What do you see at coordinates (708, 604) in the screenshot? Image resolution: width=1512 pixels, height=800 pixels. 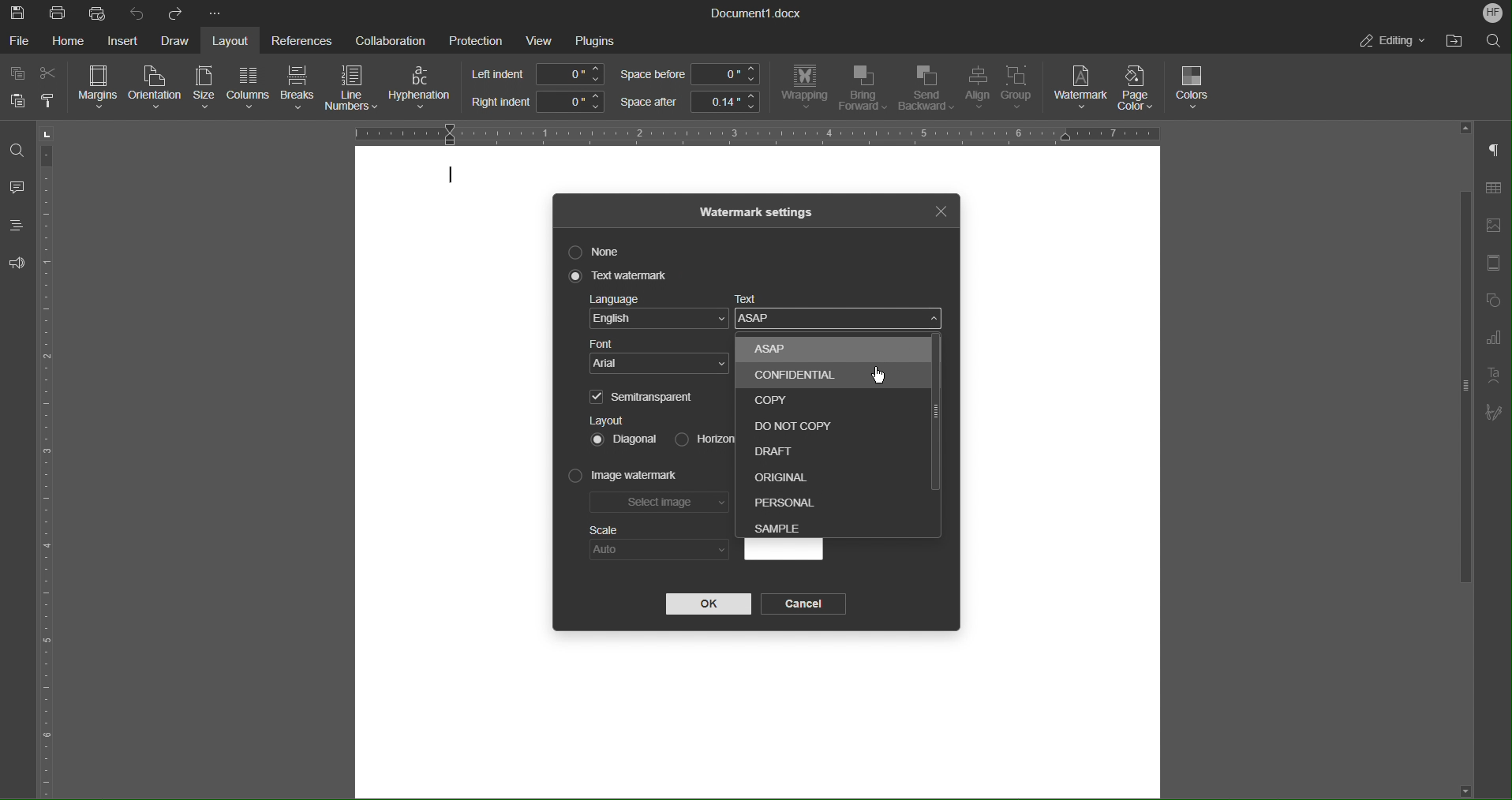 I see `OK` at bounding box center [708, 604].